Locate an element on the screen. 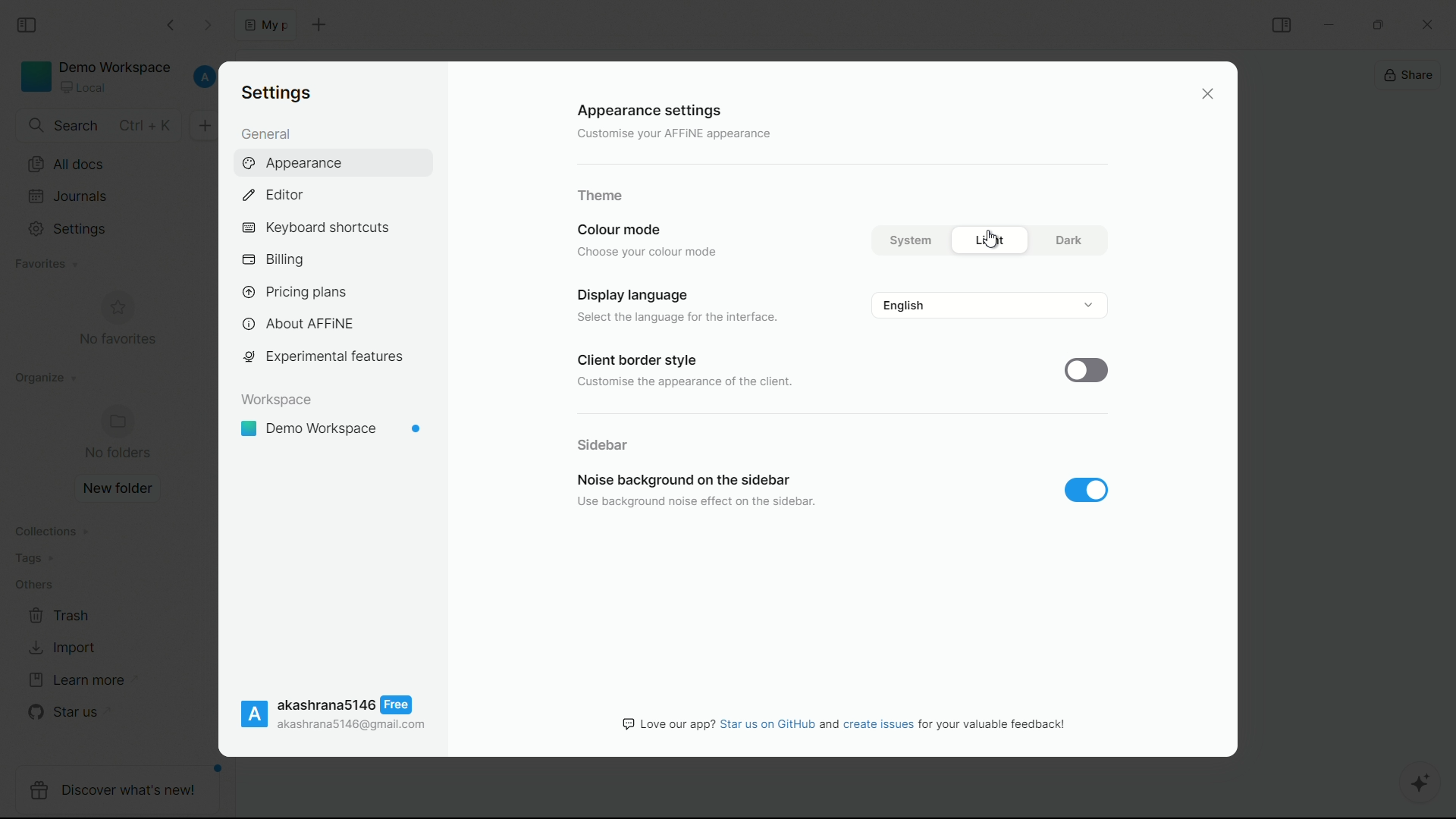 This screenshot has width=1456, height=819. share is located at coordinates (1410, 77).